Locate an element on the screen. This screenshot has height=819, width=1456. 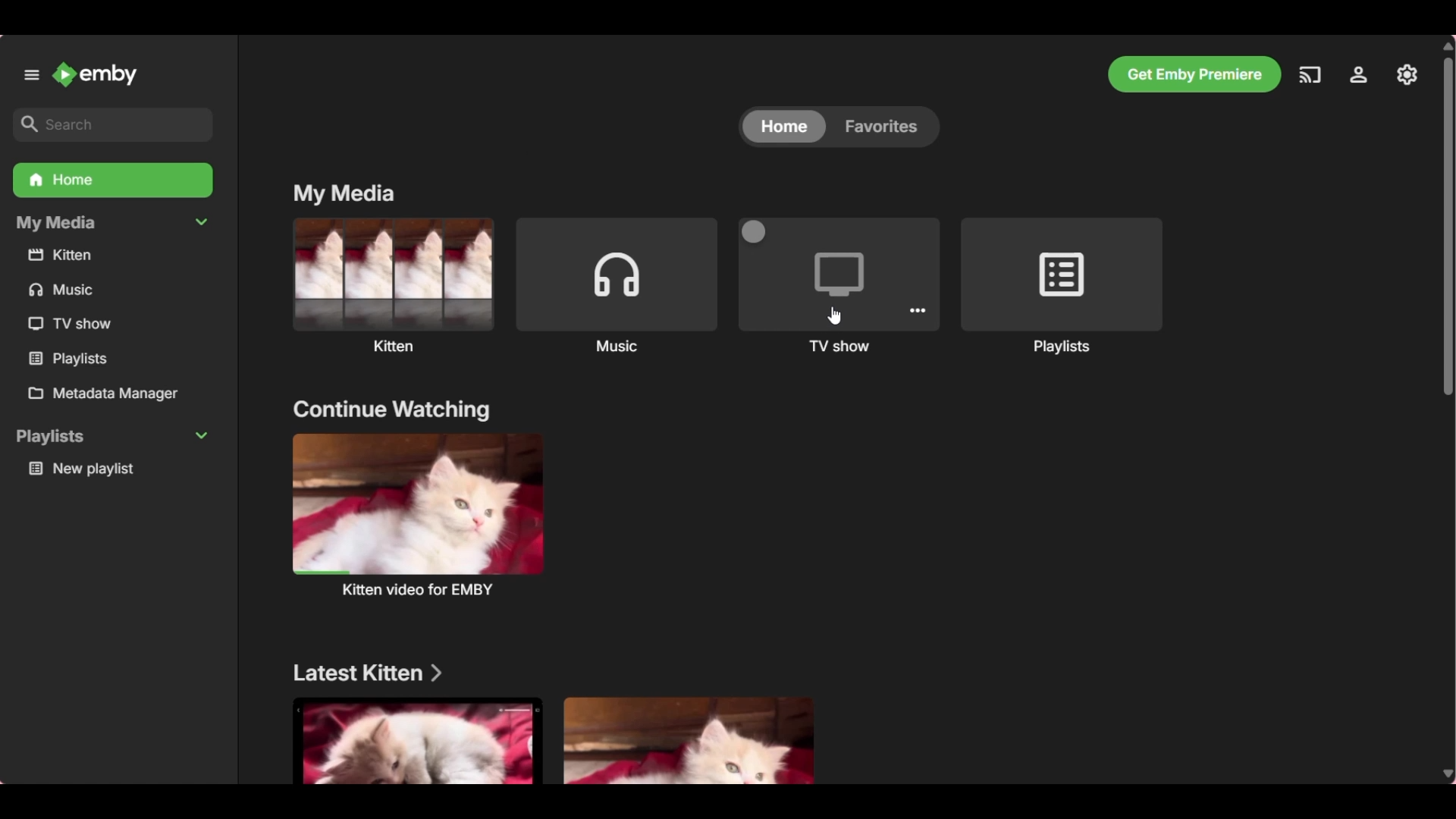
Unpin left panel is located at coordinates (32, 75).